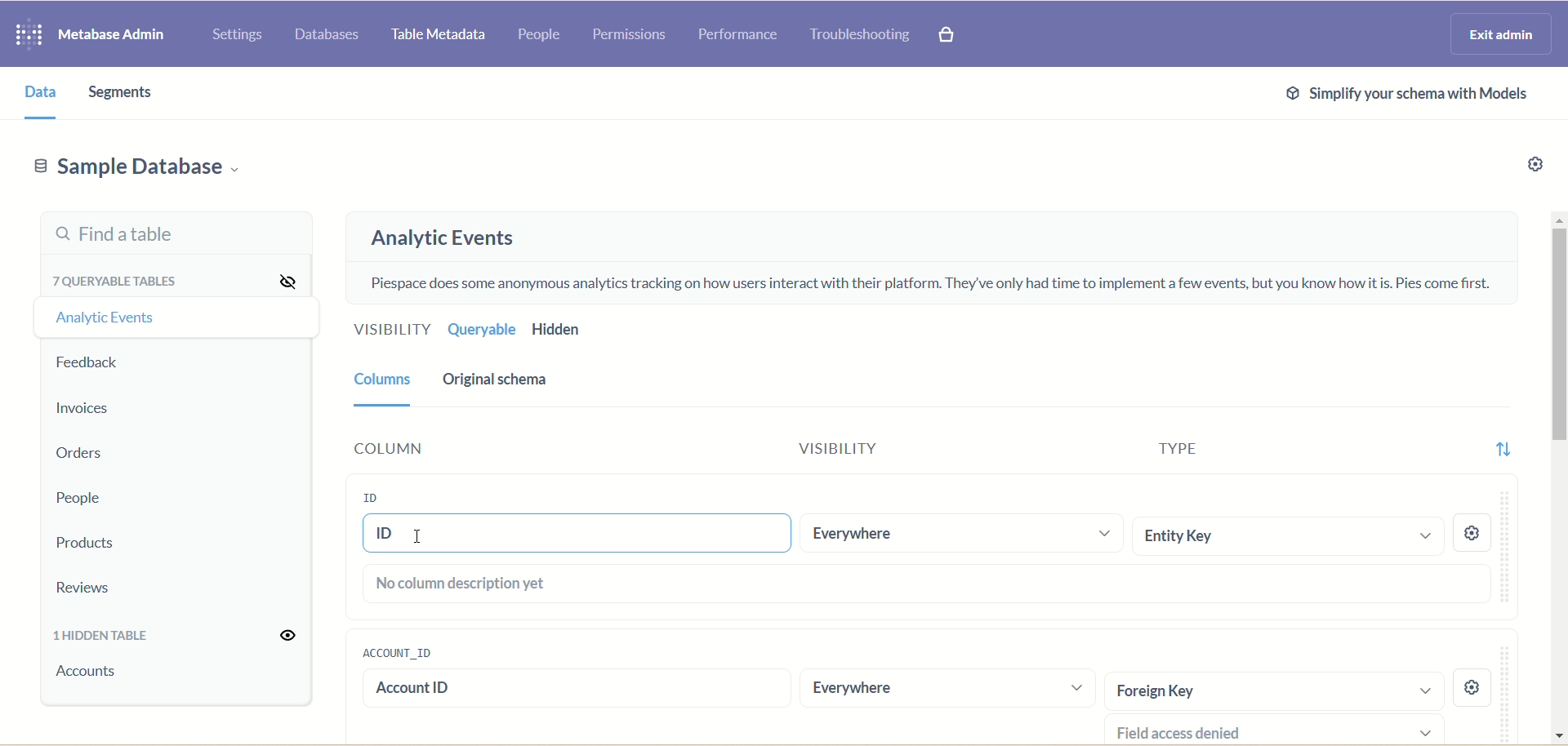  Describe the element at coordinates (1539, 162) in the screenshot. I see `Settings` at that location.